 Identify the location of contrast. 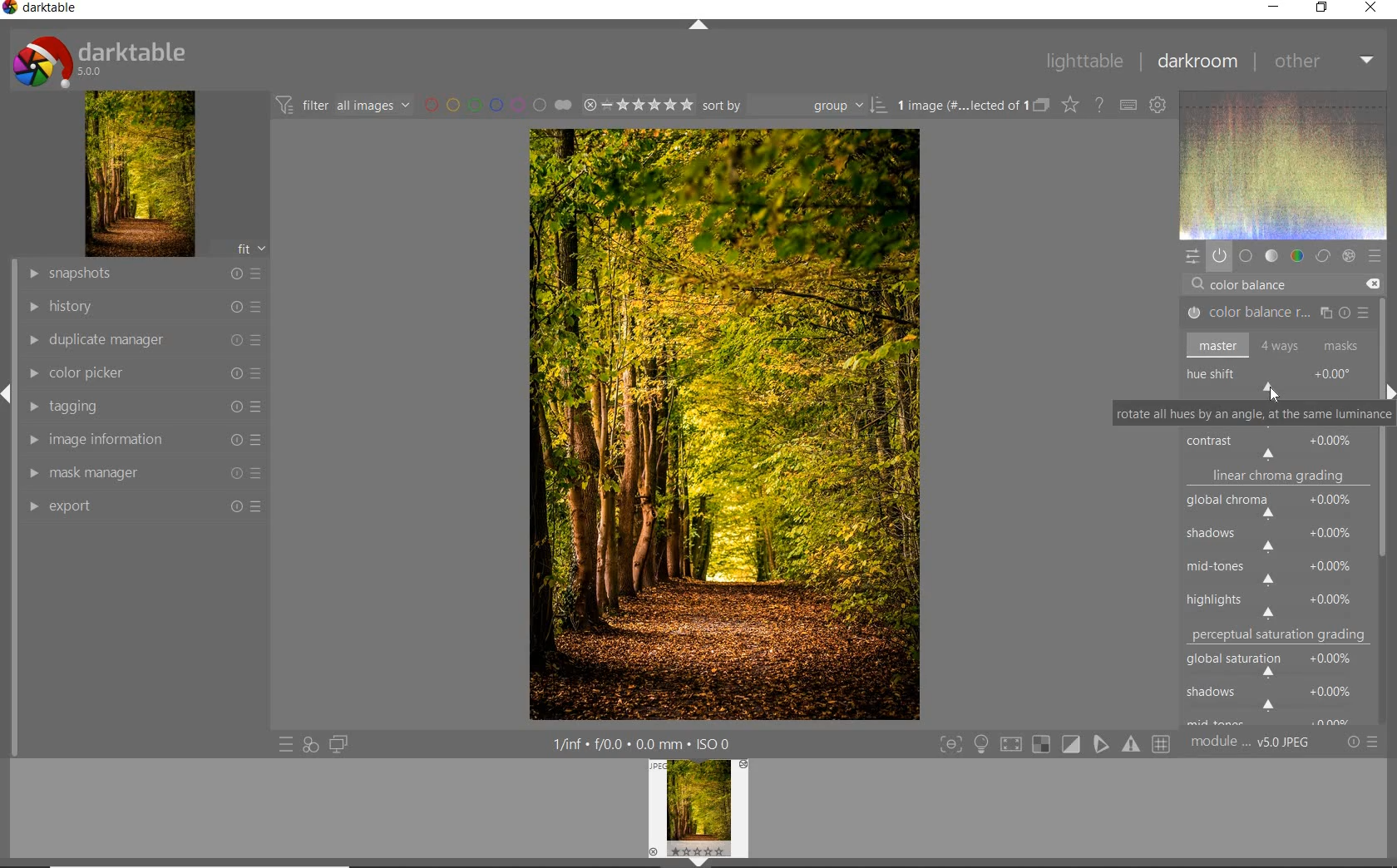
(1276, 445).